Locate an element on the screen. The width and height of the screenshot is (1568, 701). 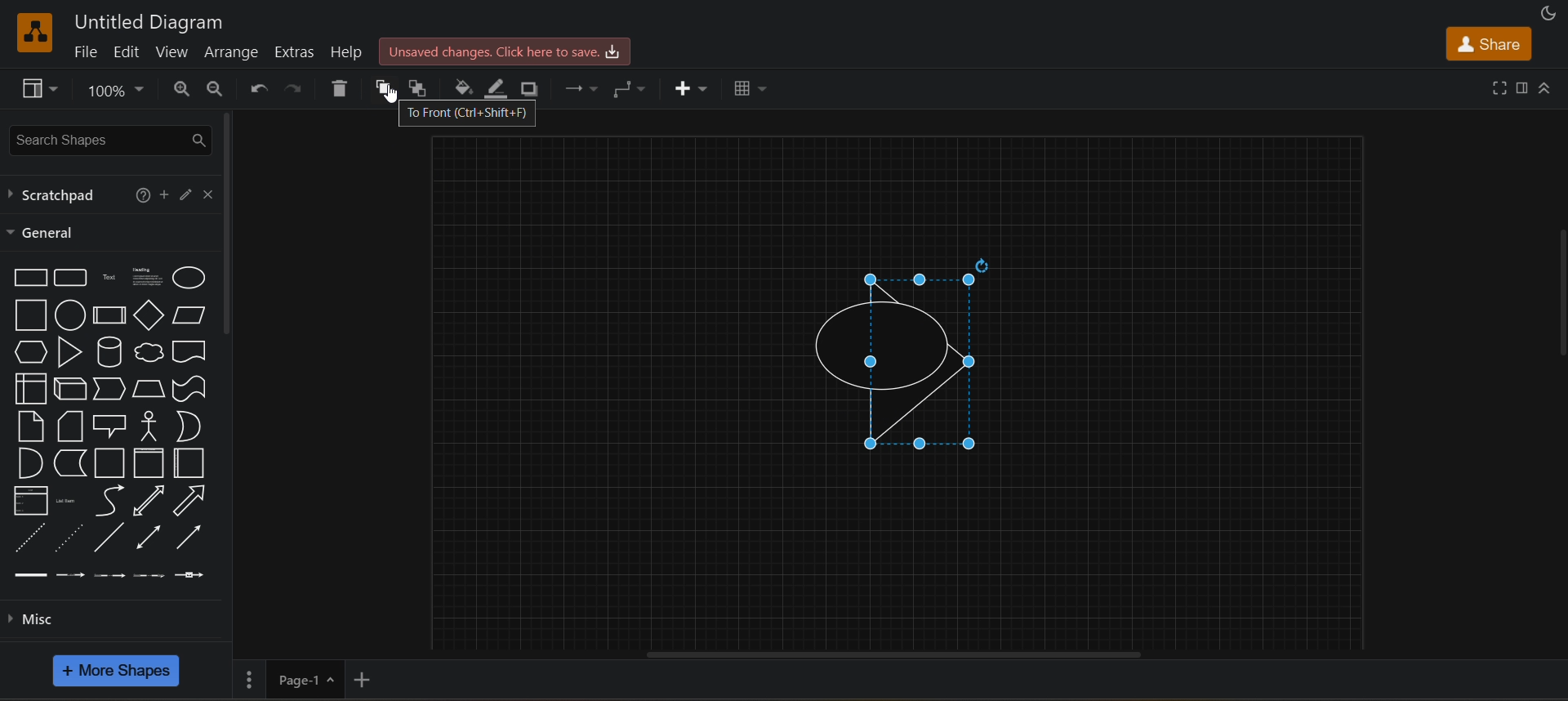
untitled diagram is located at coordinates (154, 23).